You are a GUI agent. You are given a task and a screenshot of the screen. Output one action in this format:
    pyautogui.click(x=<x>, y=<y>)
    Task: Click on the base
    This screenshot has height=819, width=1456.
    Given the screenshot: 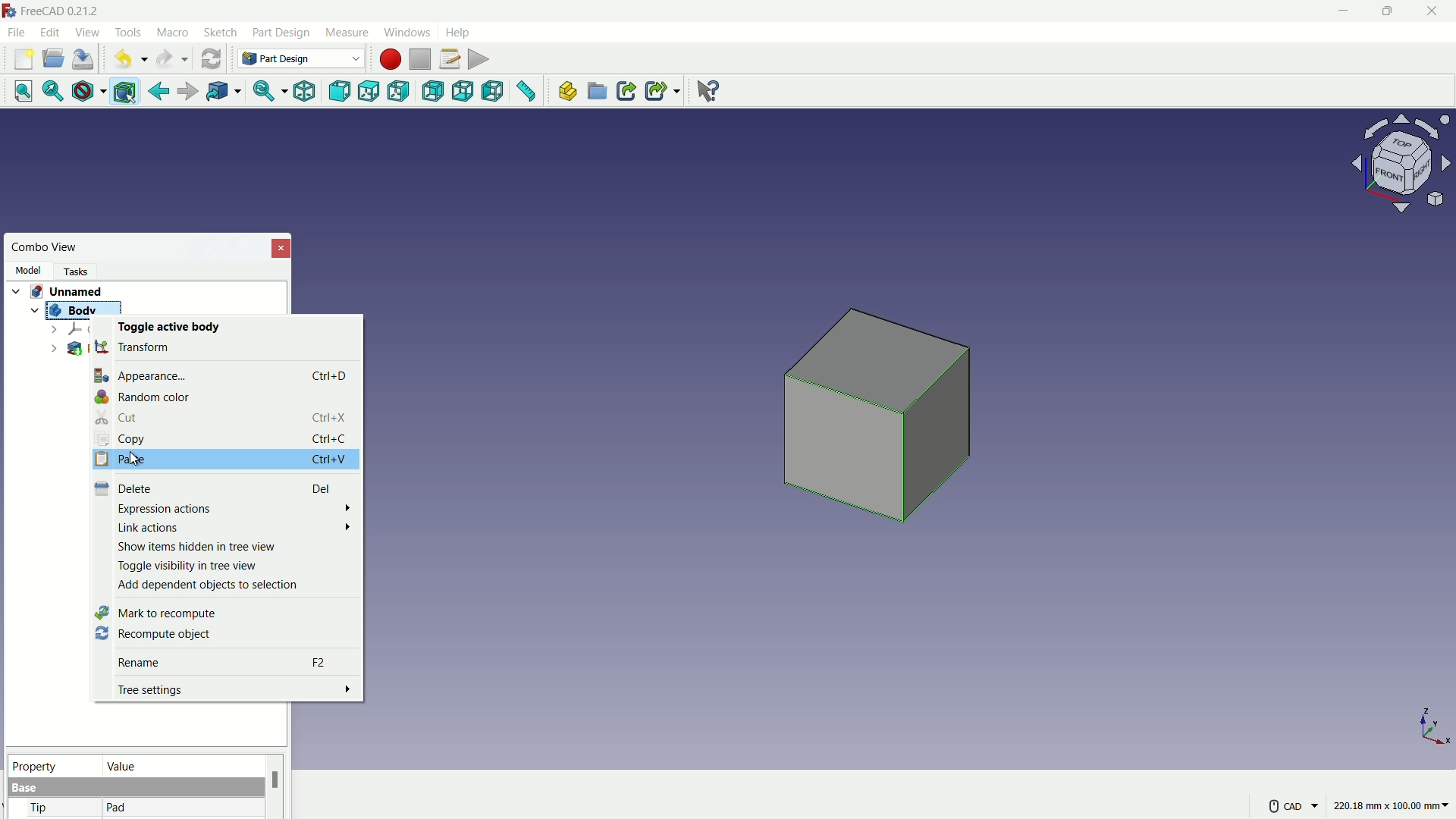 What is the action you would take?
    pyautogui.click(x=26, y=789)
    